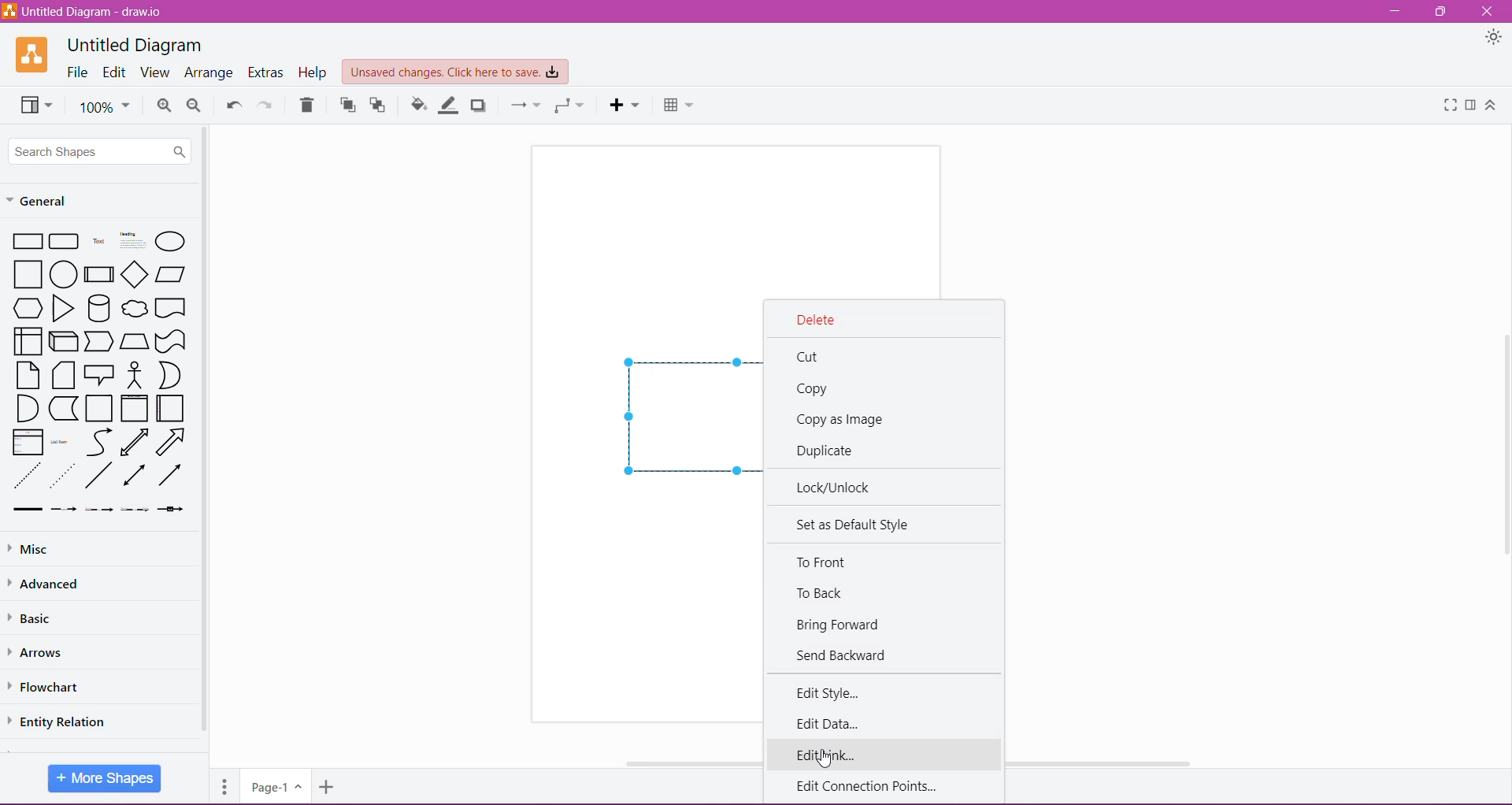 The image size is (1512, 805). I want to click on Close, so click(1486, 11).